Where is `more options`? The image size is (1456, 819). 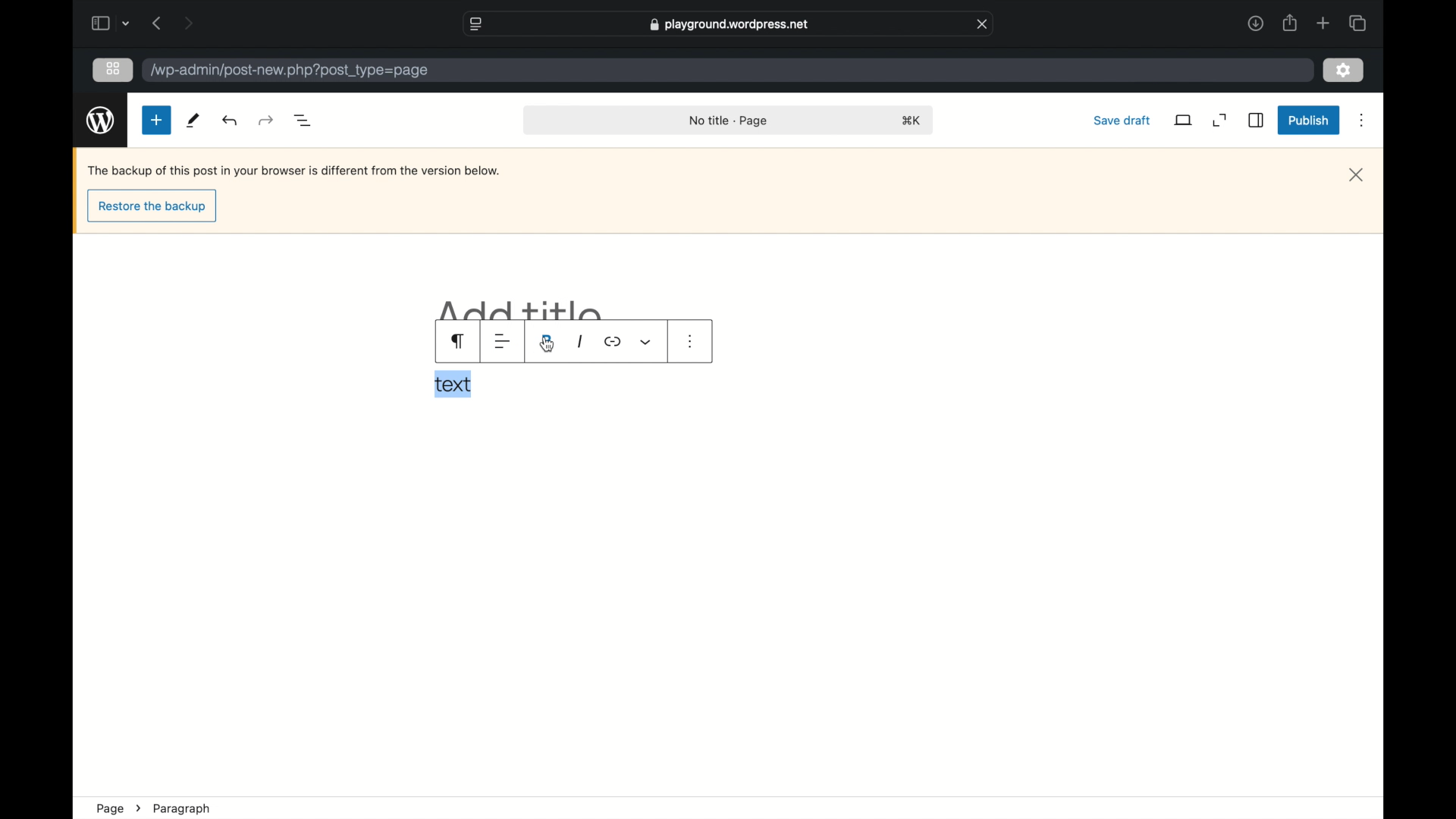
more options is located at coordinates (691, 341).